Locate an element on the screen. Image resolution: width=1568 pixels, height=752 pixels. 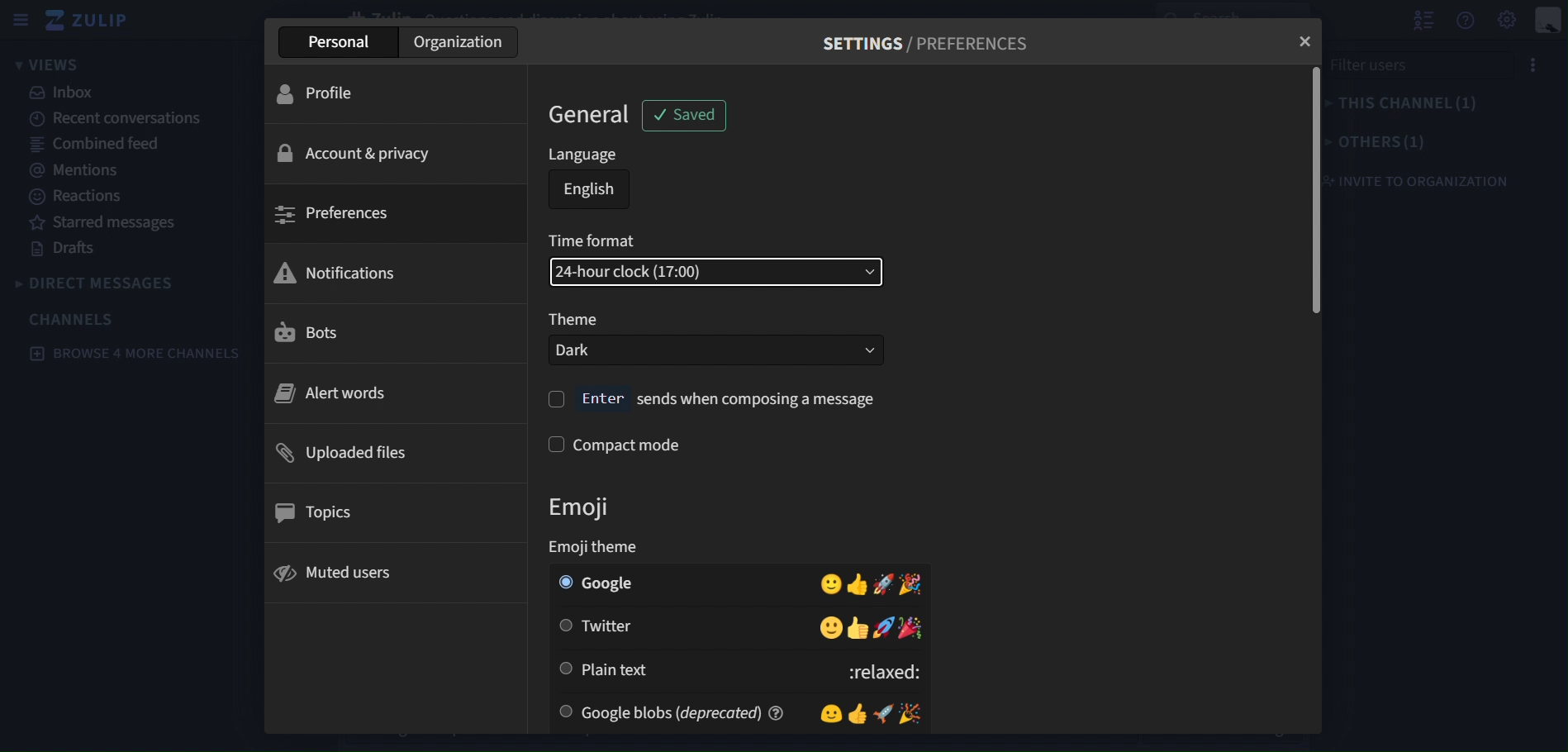
get help is located at coordinates (1469, 20).